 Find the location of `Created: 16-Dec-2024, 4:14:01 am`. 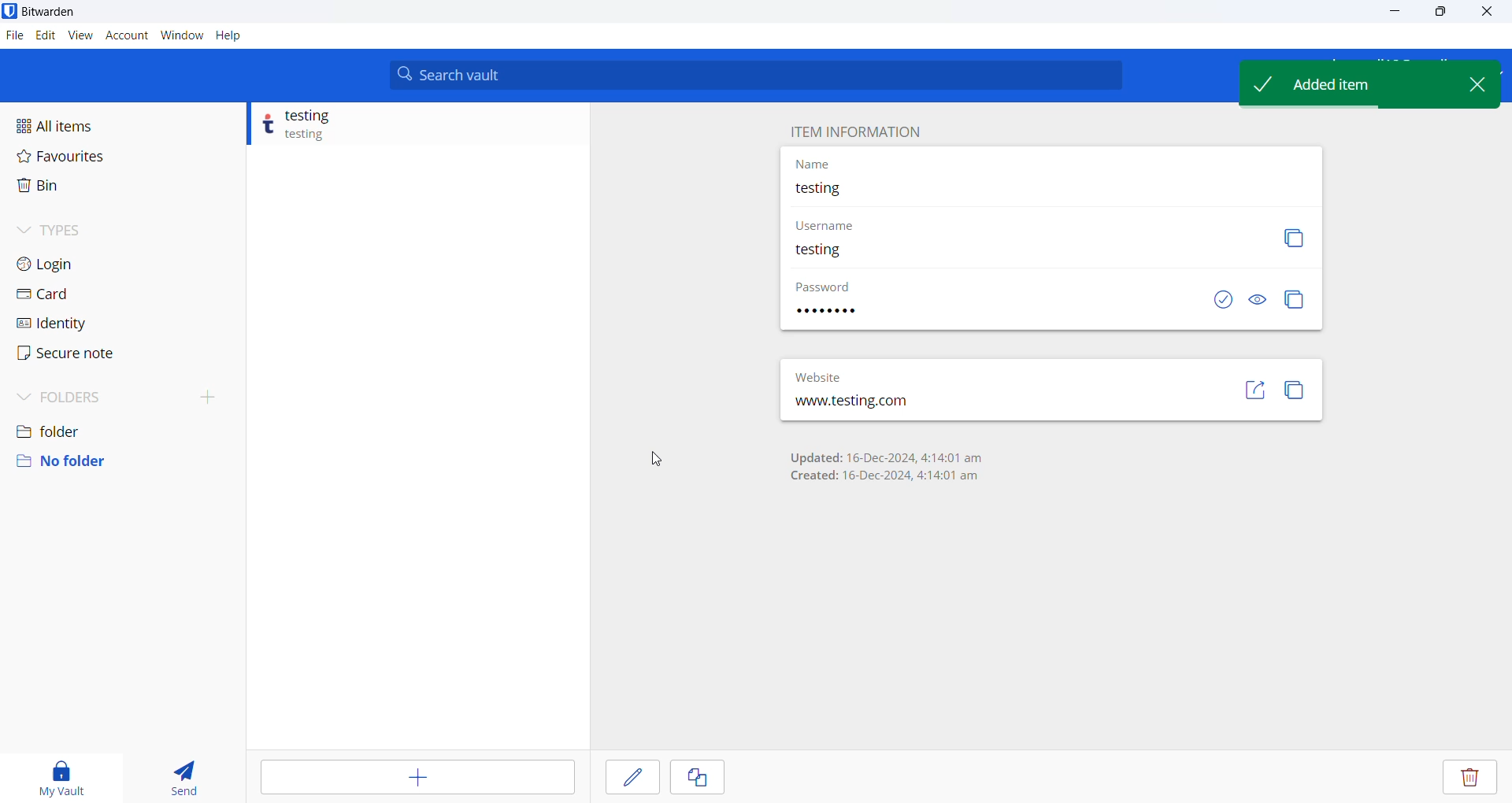

Created: 16-Dec-2024, 4:14:01 am is located at coordinates (887, 476).